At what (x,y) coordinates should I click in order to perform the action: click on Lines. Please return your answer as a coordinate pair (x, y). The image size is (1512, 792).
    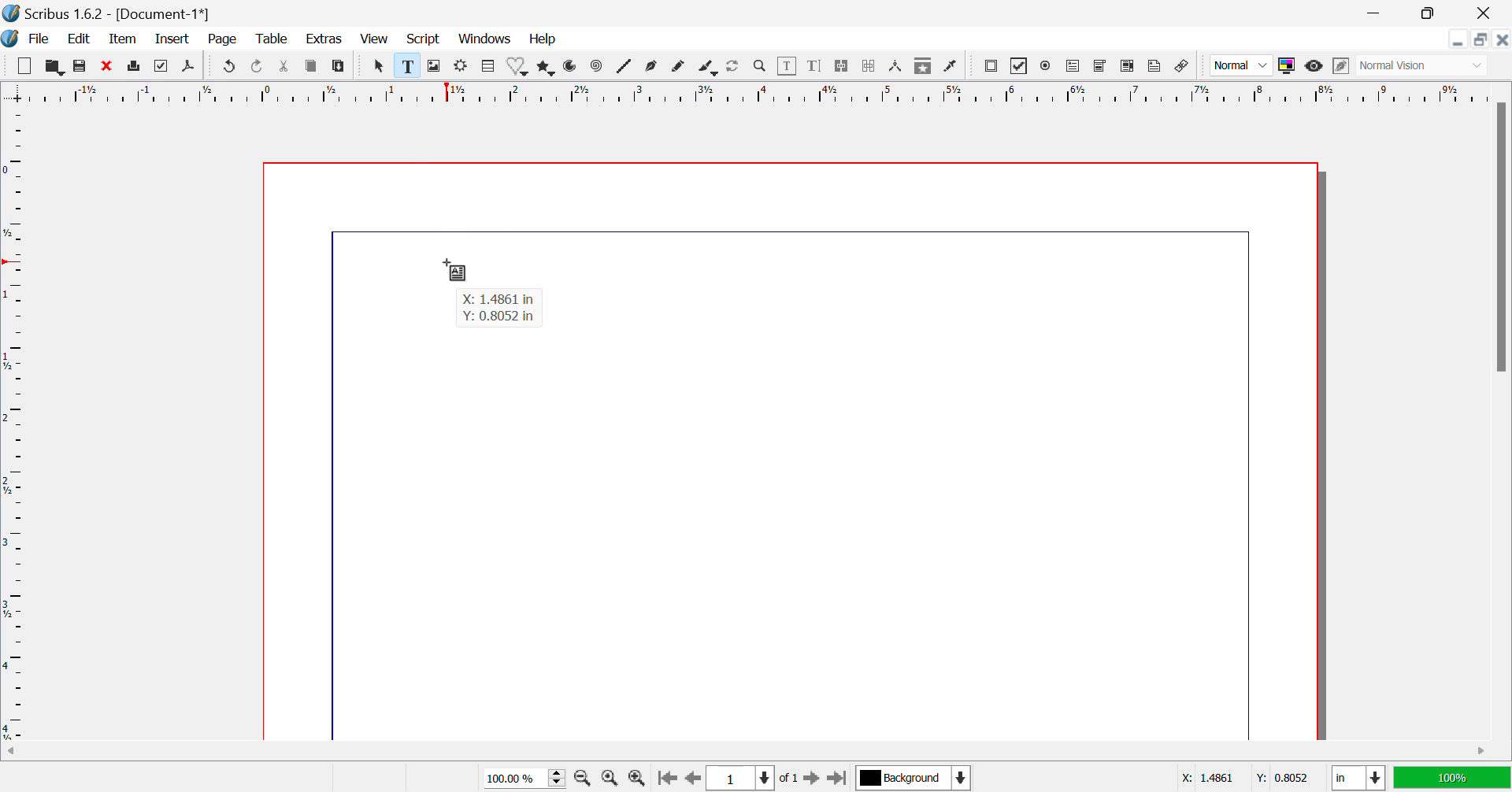
    Looking at the image, I should click on (624, 68).